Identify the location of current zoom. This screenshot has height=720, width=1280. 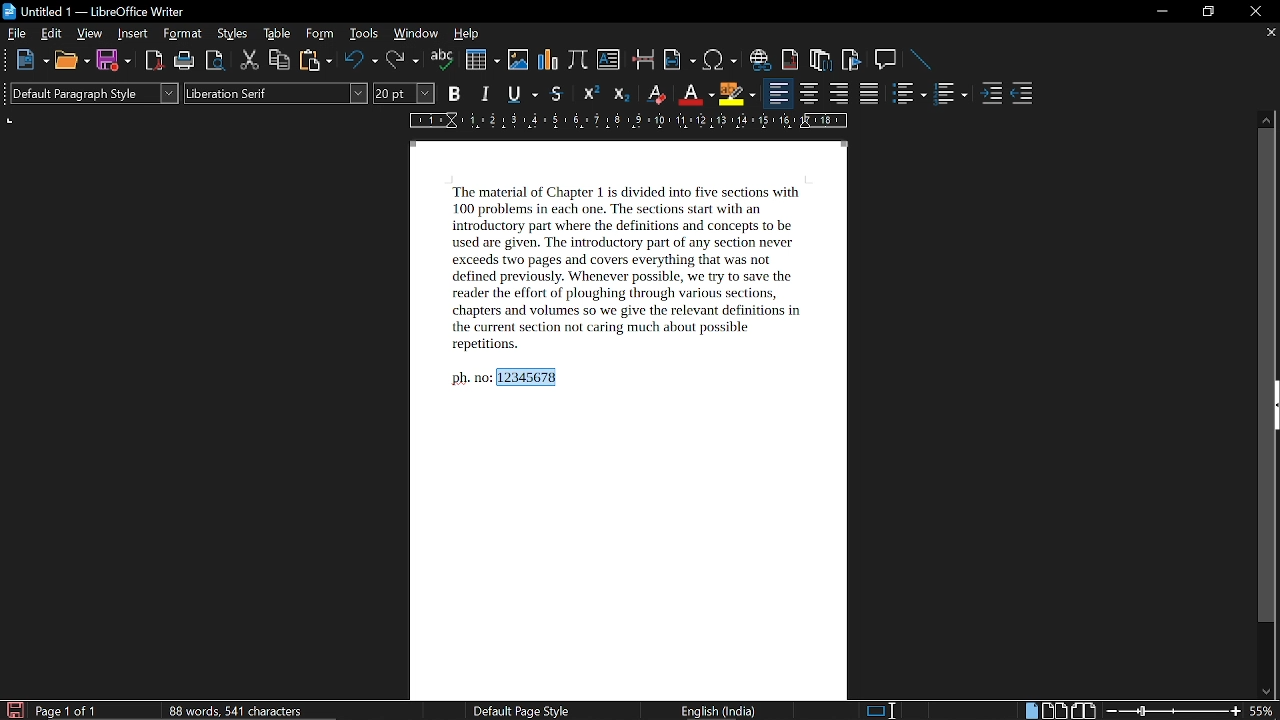
(1264, 712).